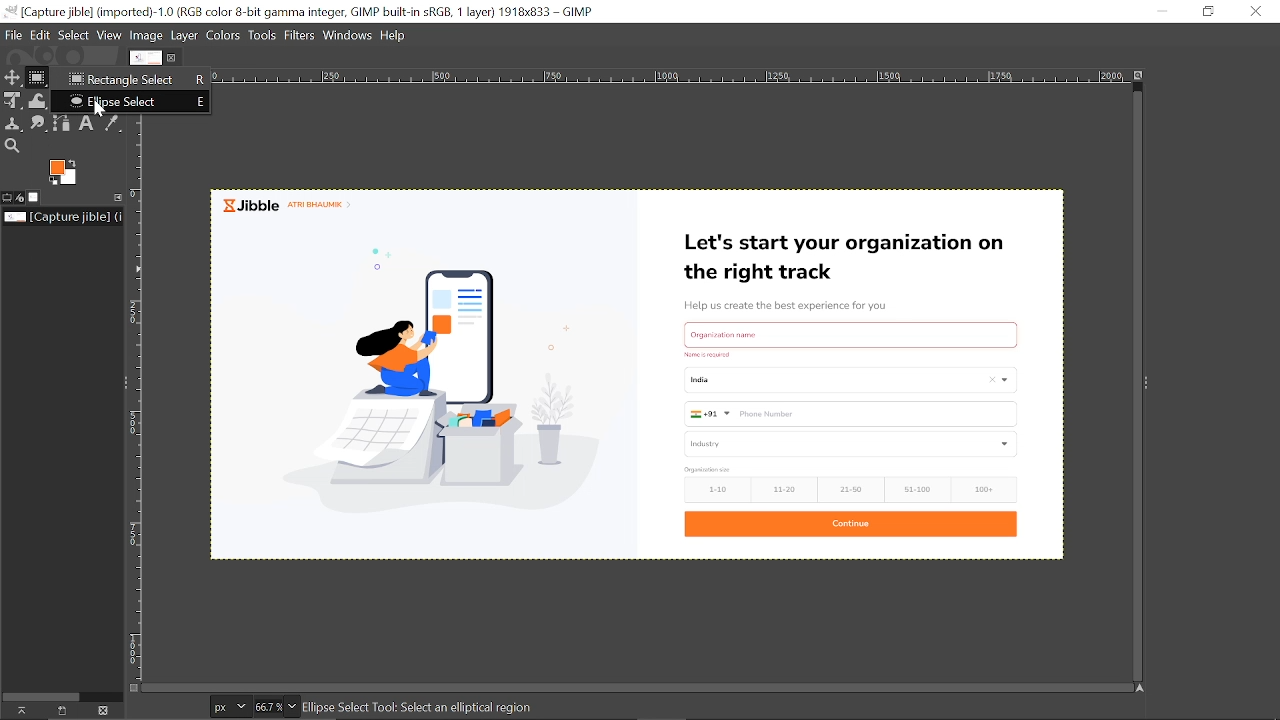 The height and width of the screenshot is (720, 1280). Describe the element at coordinates (133, 103) in the screenshot. I see `Ellipse select` at that location.